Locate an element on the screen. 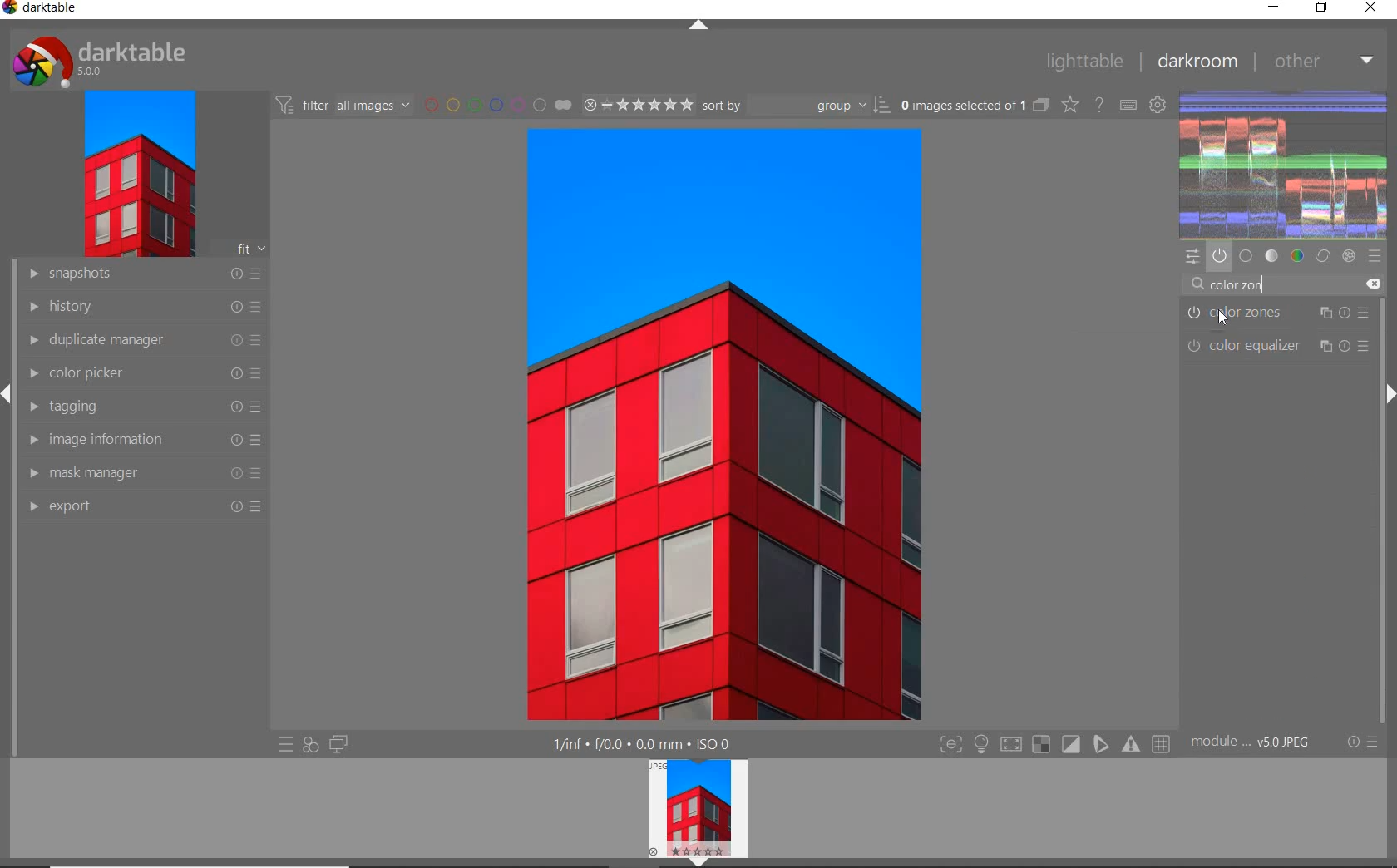  mask manager is located at coordinates (142, 472).